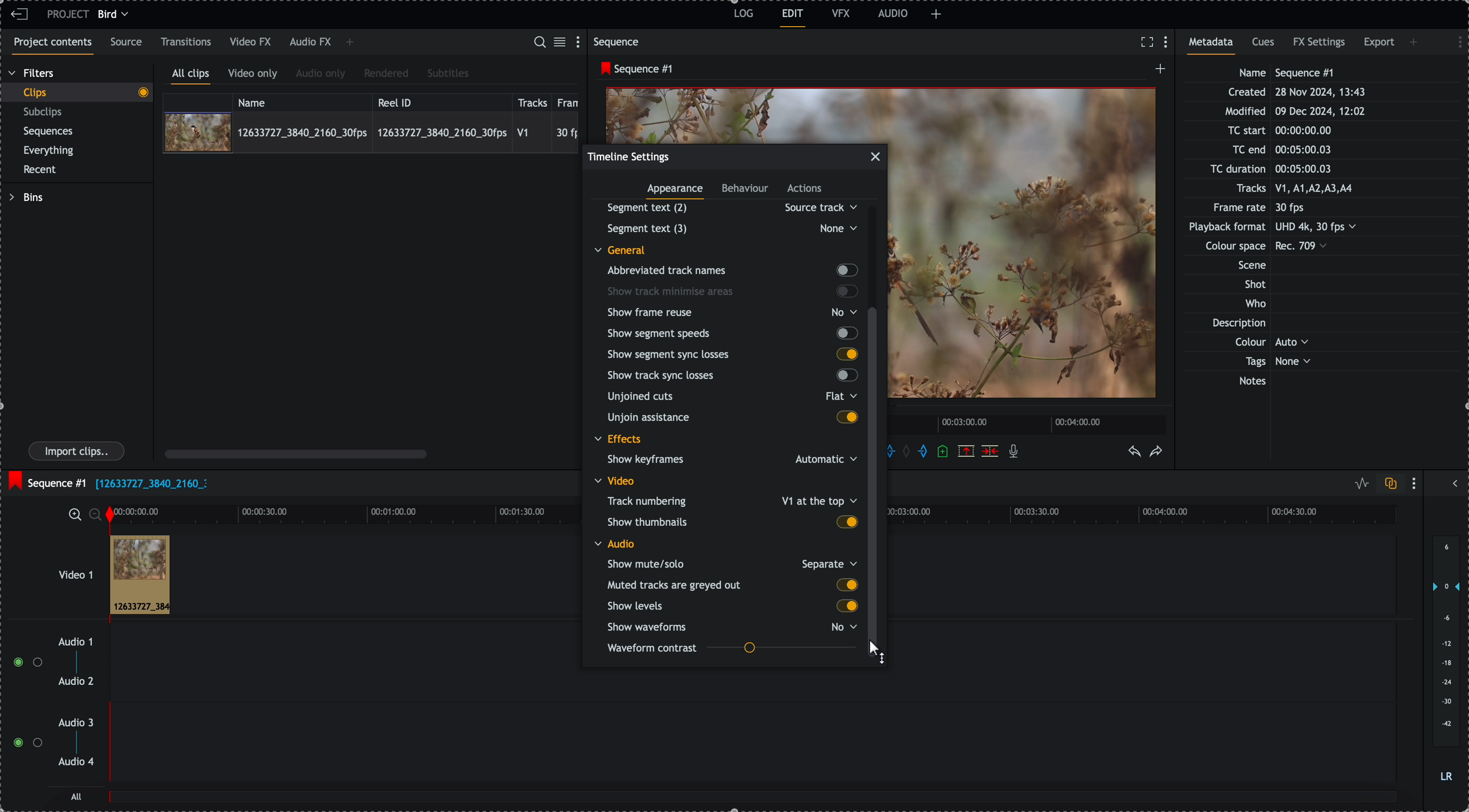 The height and width of the screenshot is (812, 1469). I want to click on VFX, so click(841, 13).